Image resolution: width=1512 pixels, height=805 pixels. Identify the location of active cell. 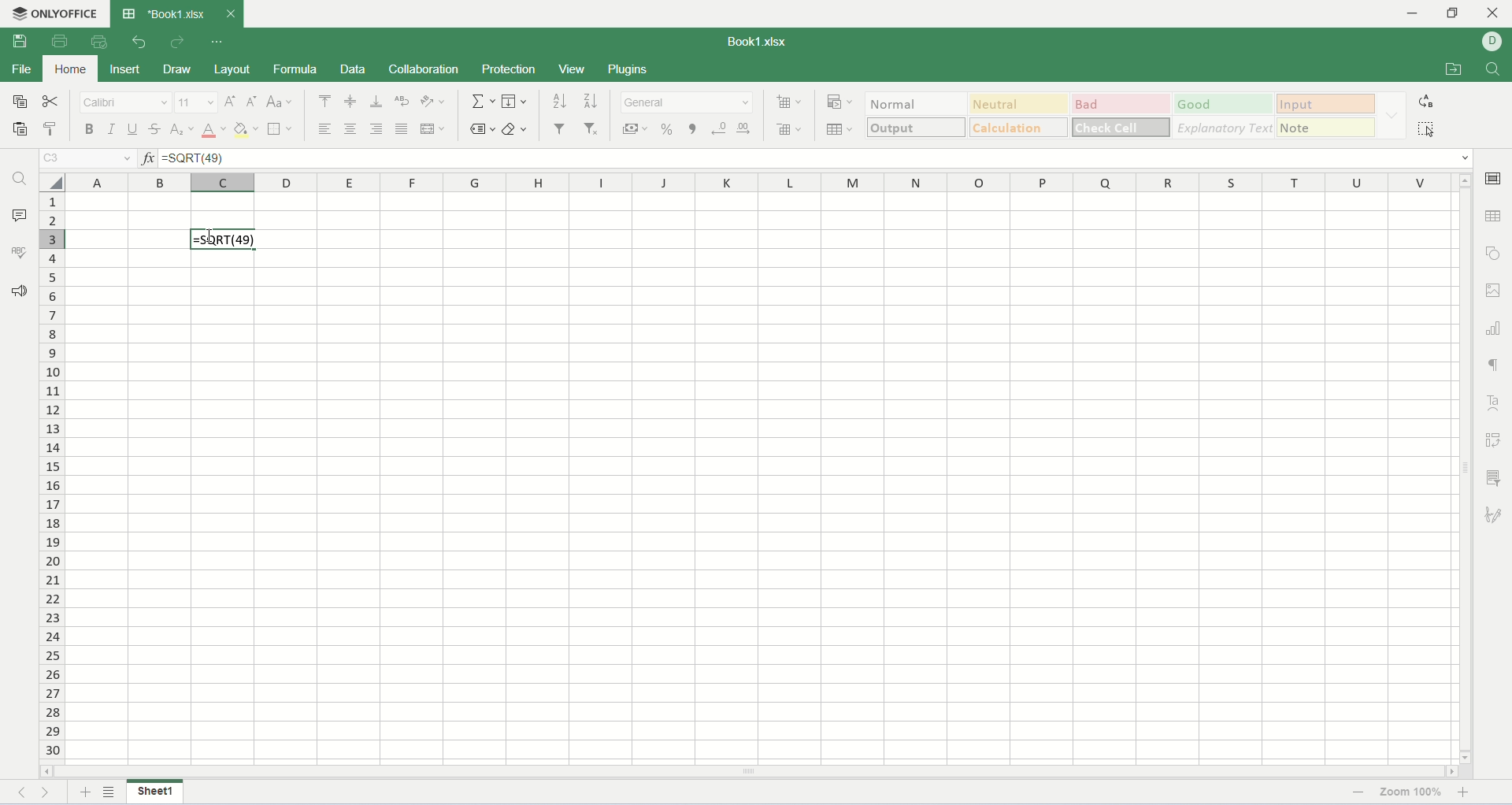
(224, 239).